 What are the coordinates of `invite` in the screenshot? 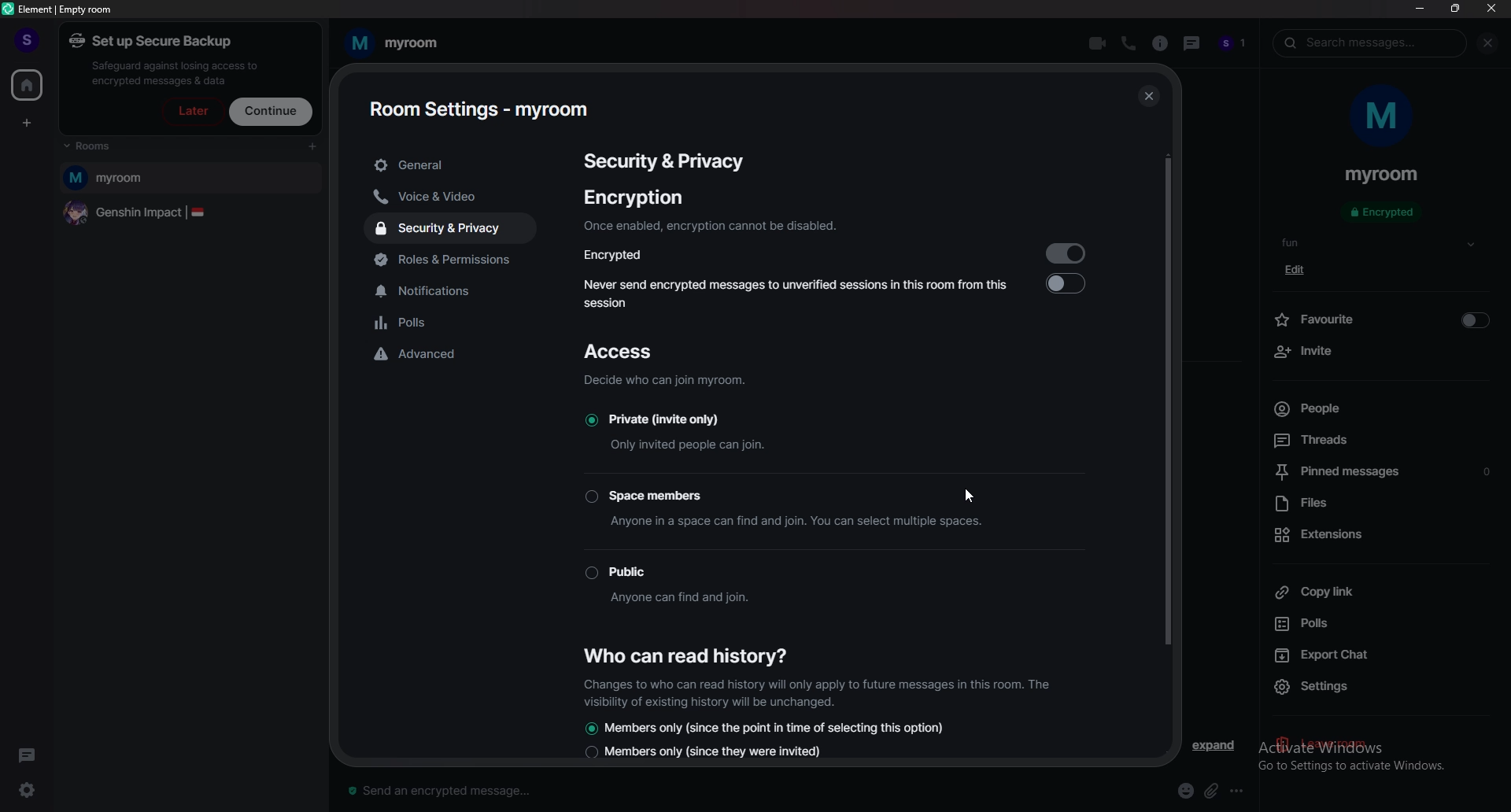 It's located at (1384, 352).